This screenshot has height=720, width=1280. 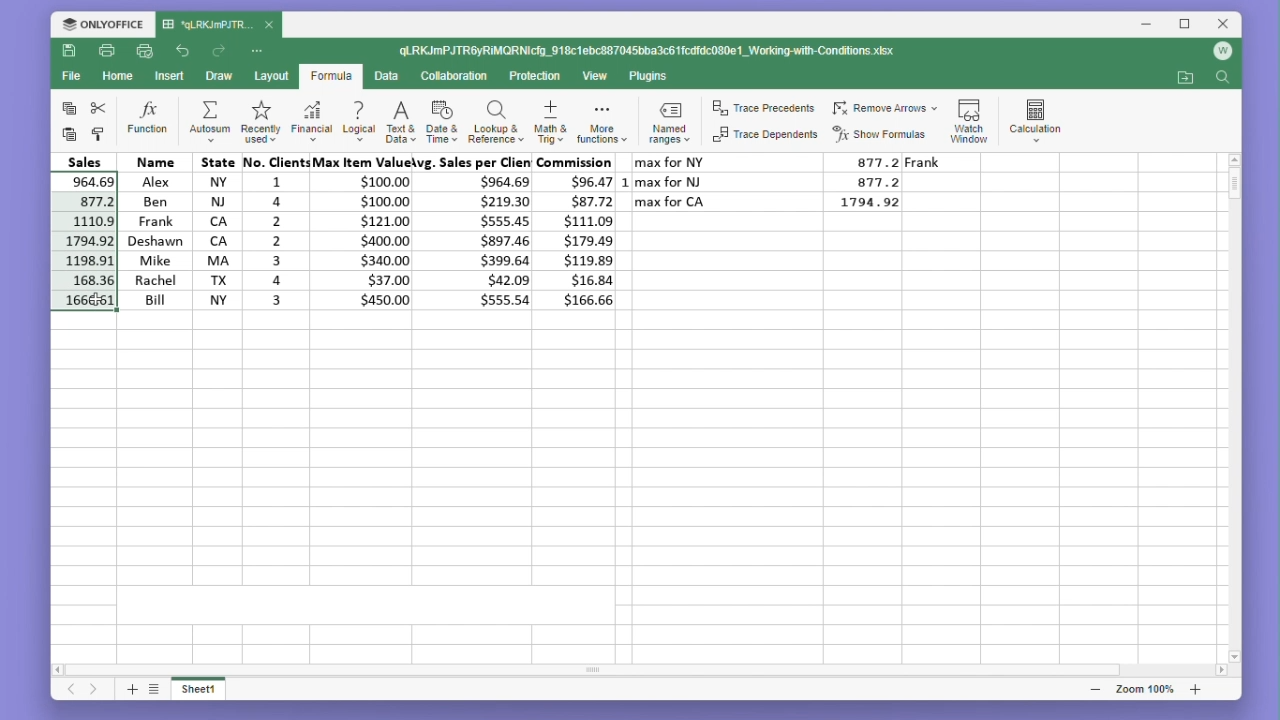 I want to click on Minimise, so click(x=1147, y=25).